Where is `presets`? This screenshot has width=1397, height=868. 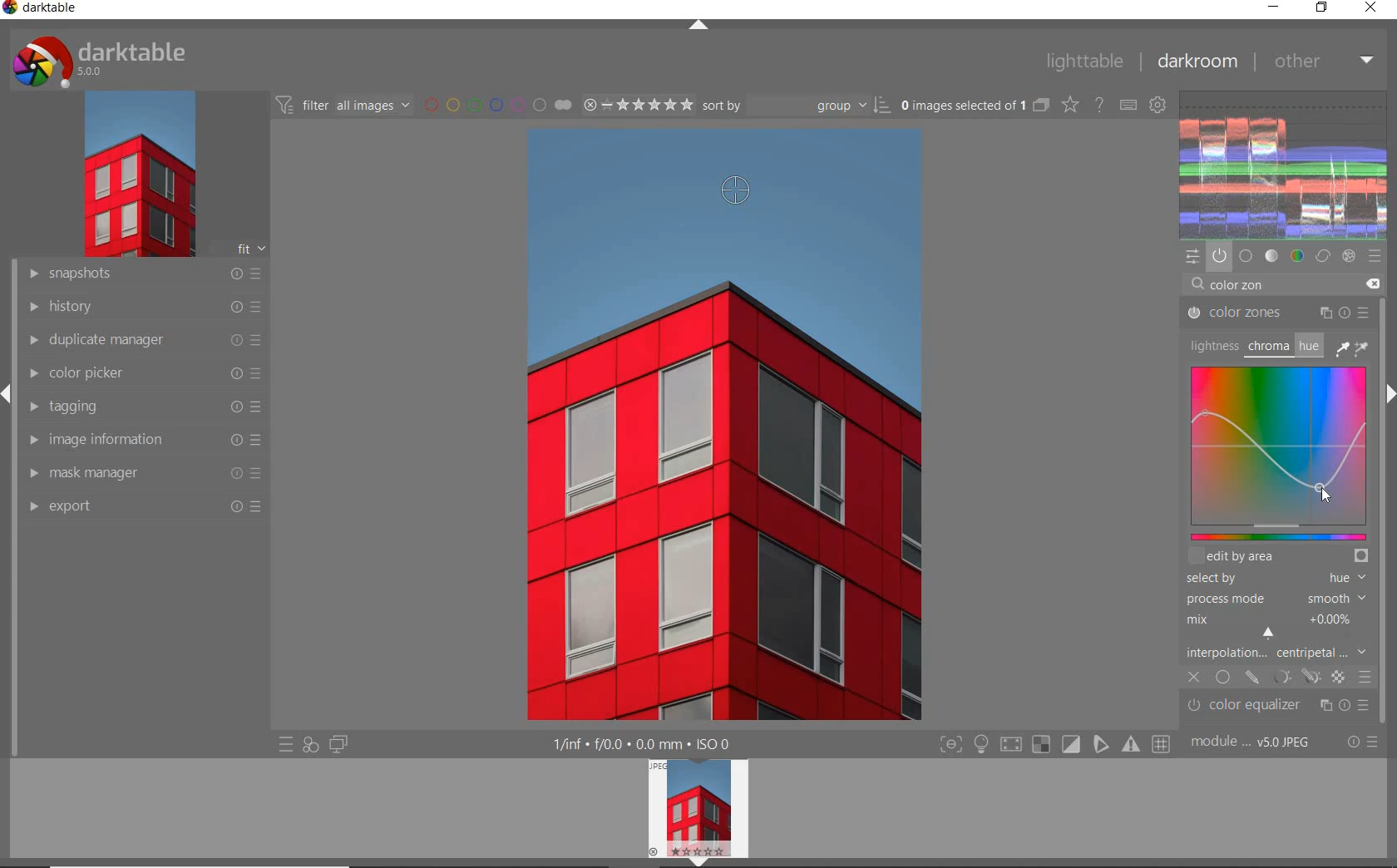
presets is located at coordinates (1375, 254).